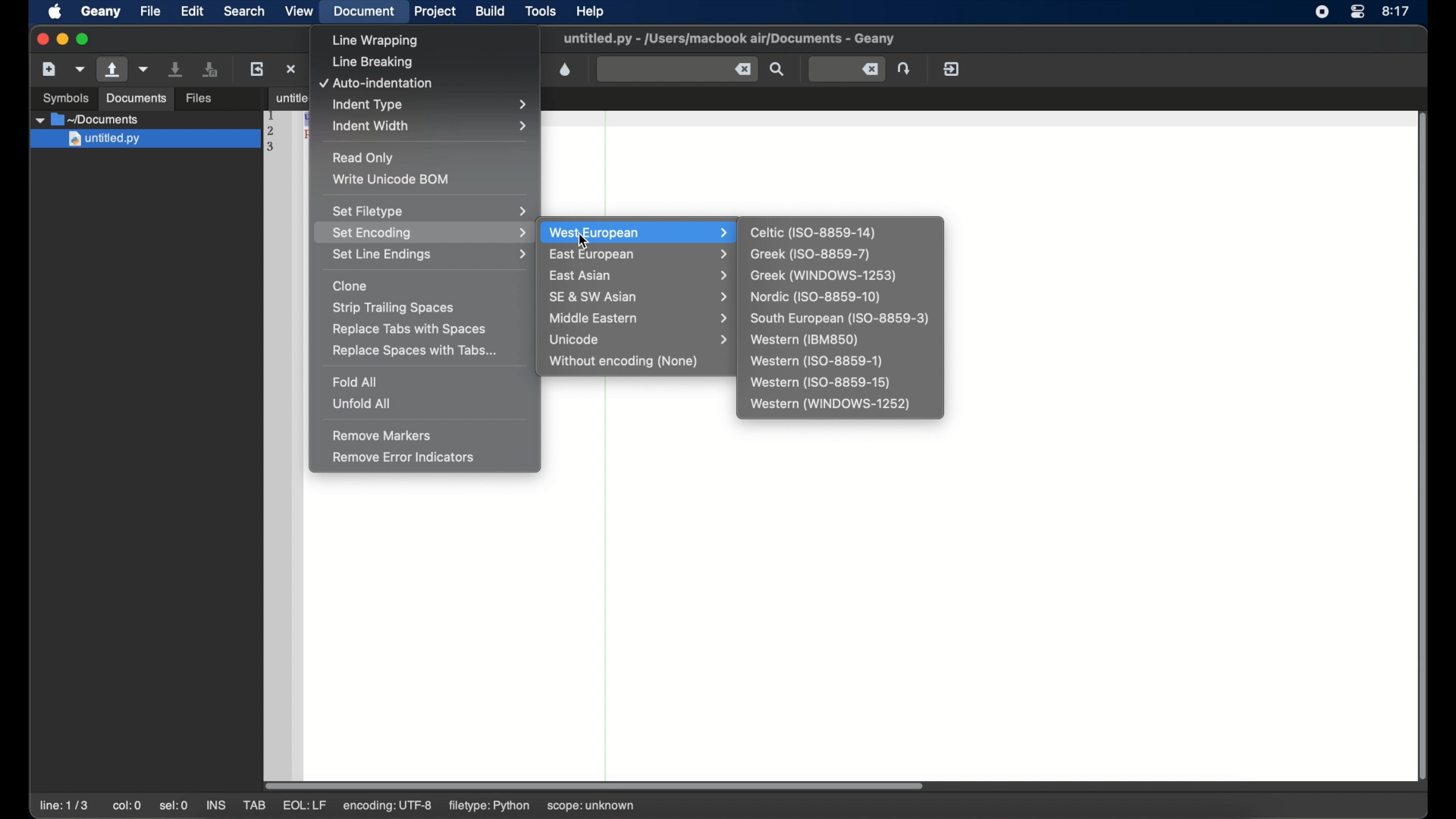  Describe the element at coordinates (677, 70) in the screenshot. I see `find the entered text in current file` at that location.